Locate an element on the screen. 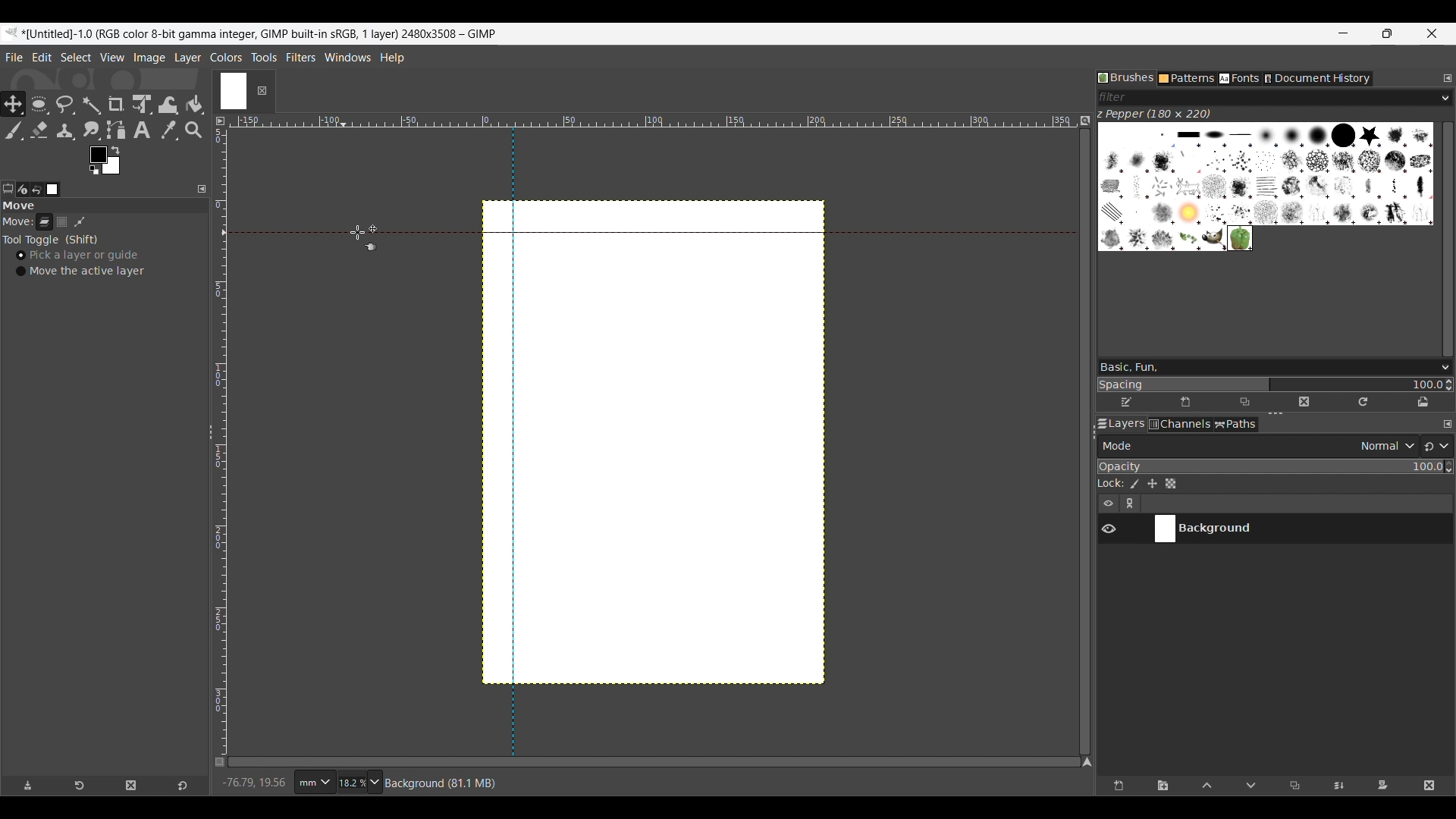 The height and width of the screenshot is (819, 1456). Wrap transform is located at coordinates (168, 105).